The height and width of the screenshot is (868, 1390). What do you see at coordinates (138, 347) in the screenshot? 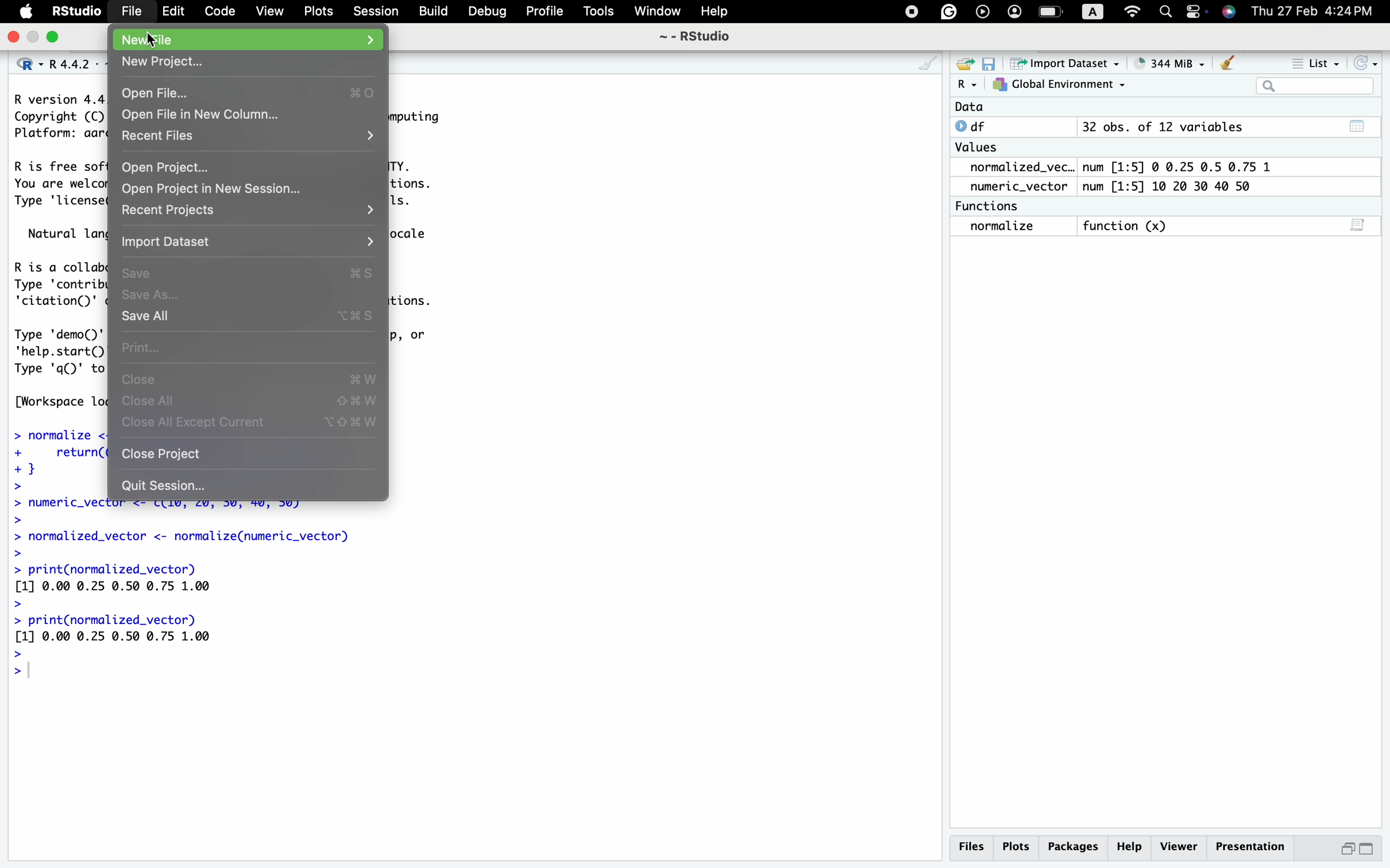
I see `Print...` at bounding box center [138, 347].